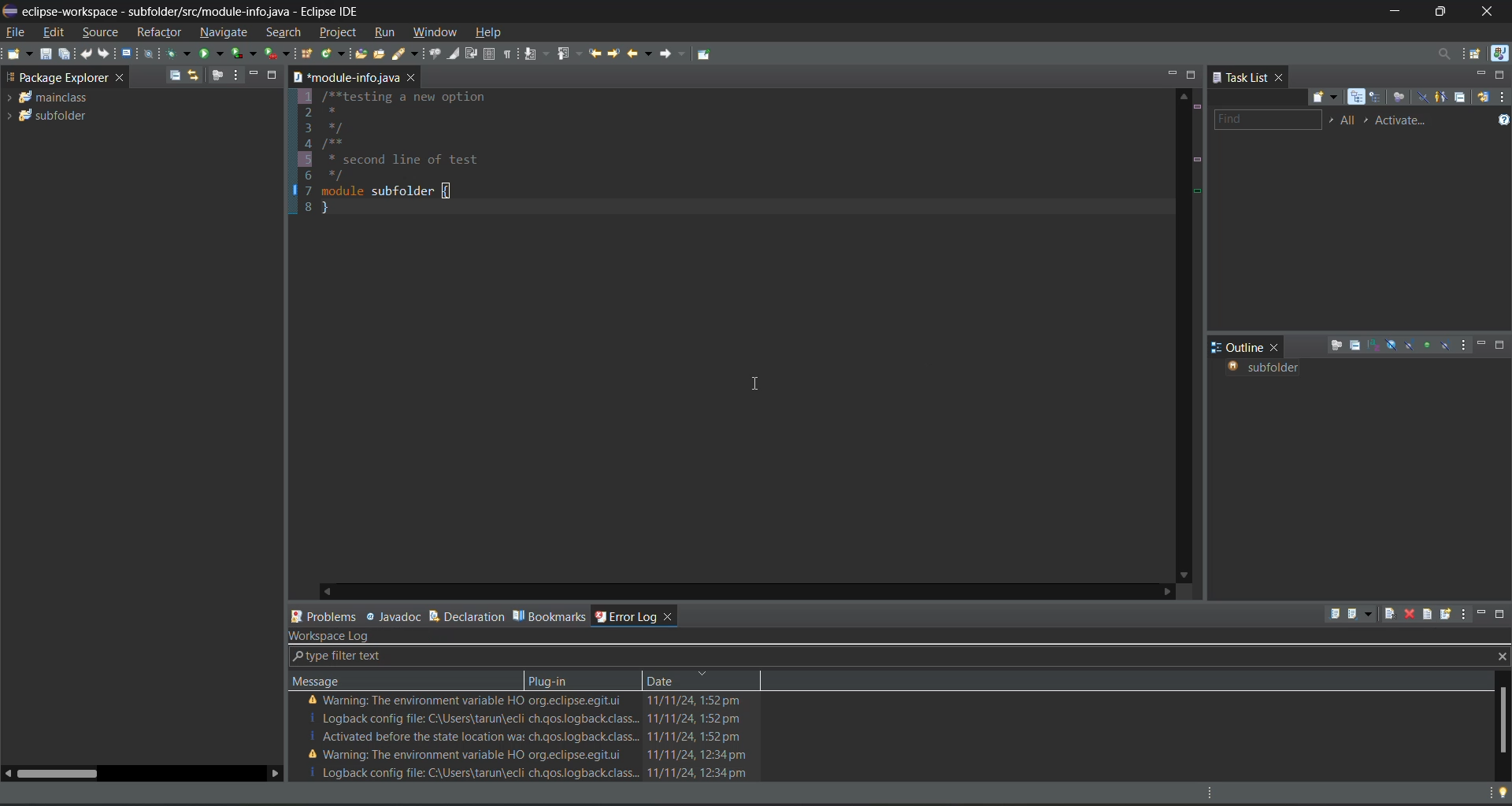  What do you see at coordinates (57, 33) in the screenshot?
I see `edit` at bounding box center [57, 33].